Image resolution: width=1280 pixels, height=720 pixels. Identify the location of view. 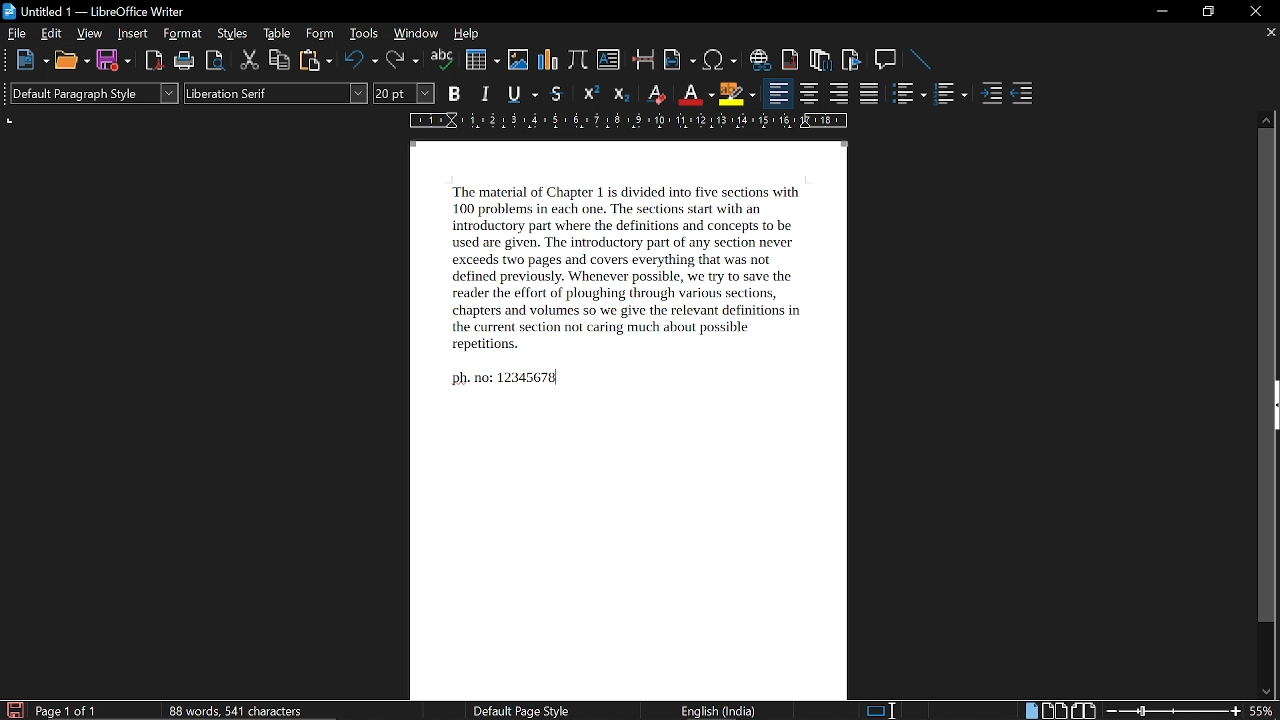
(90, 35).